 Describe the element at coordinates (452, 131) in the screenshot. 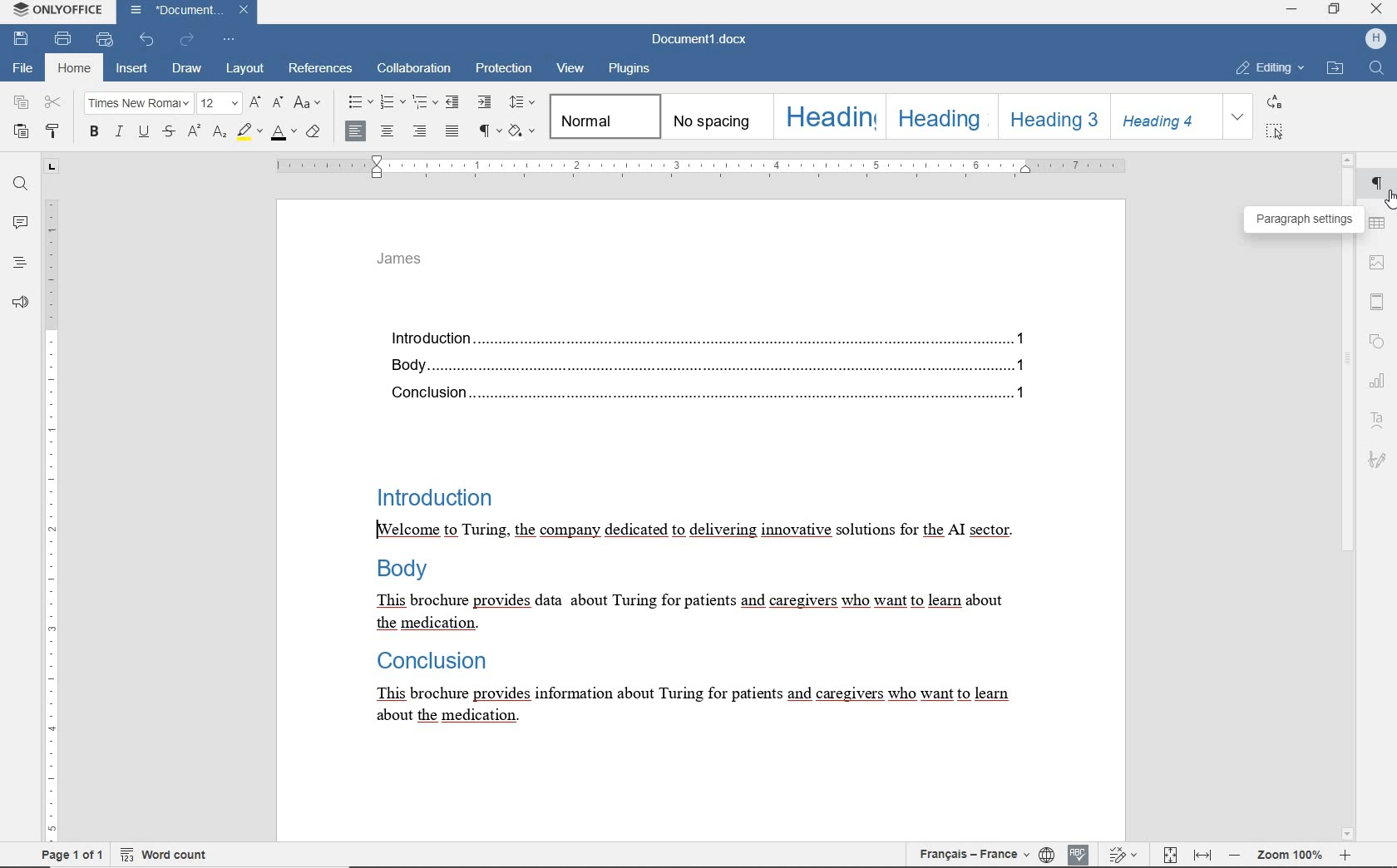

I see `justified` at that location.